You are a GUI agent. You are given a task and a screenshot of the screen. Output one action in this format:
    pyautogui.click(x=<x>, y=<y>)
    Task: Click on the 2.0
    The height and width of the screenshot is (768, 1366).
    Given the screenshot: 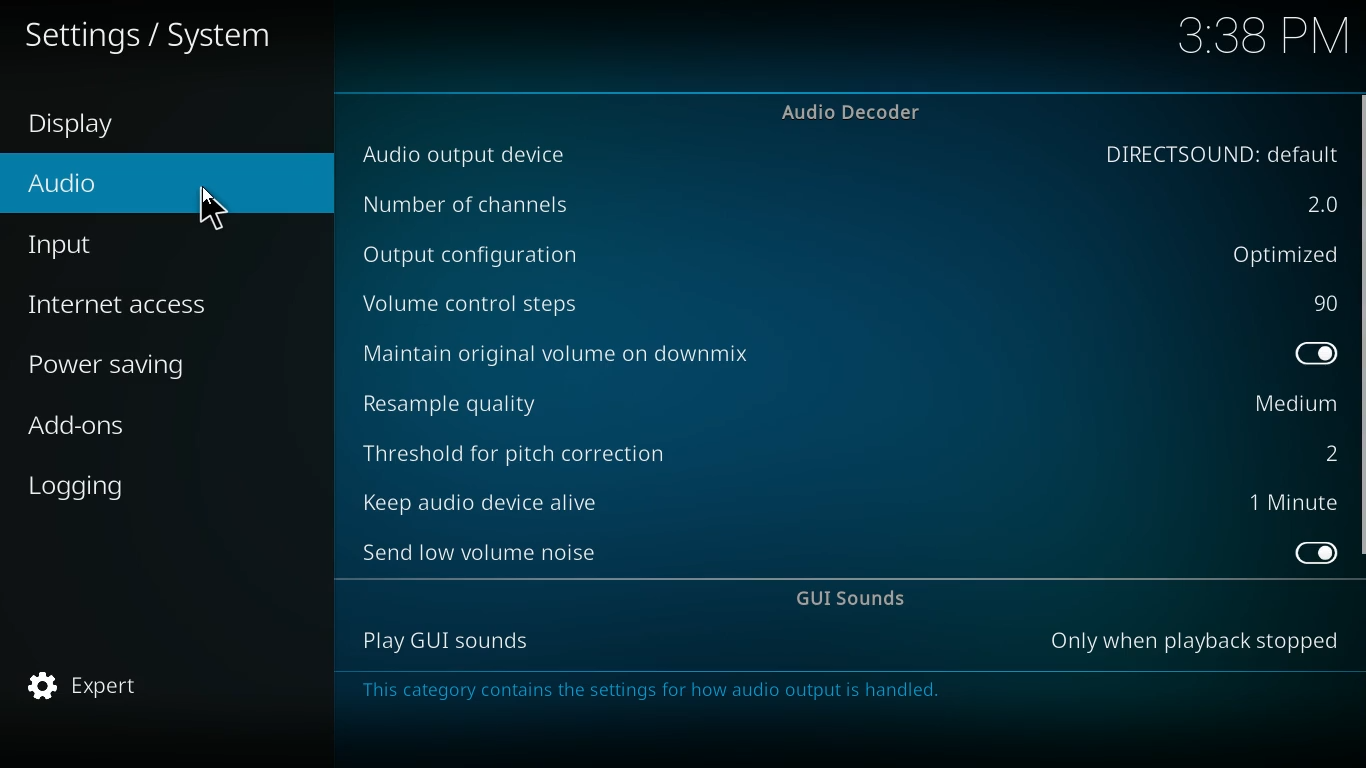 What is the action you would take?
    pyautogui.click(x=1316, y=204)
    